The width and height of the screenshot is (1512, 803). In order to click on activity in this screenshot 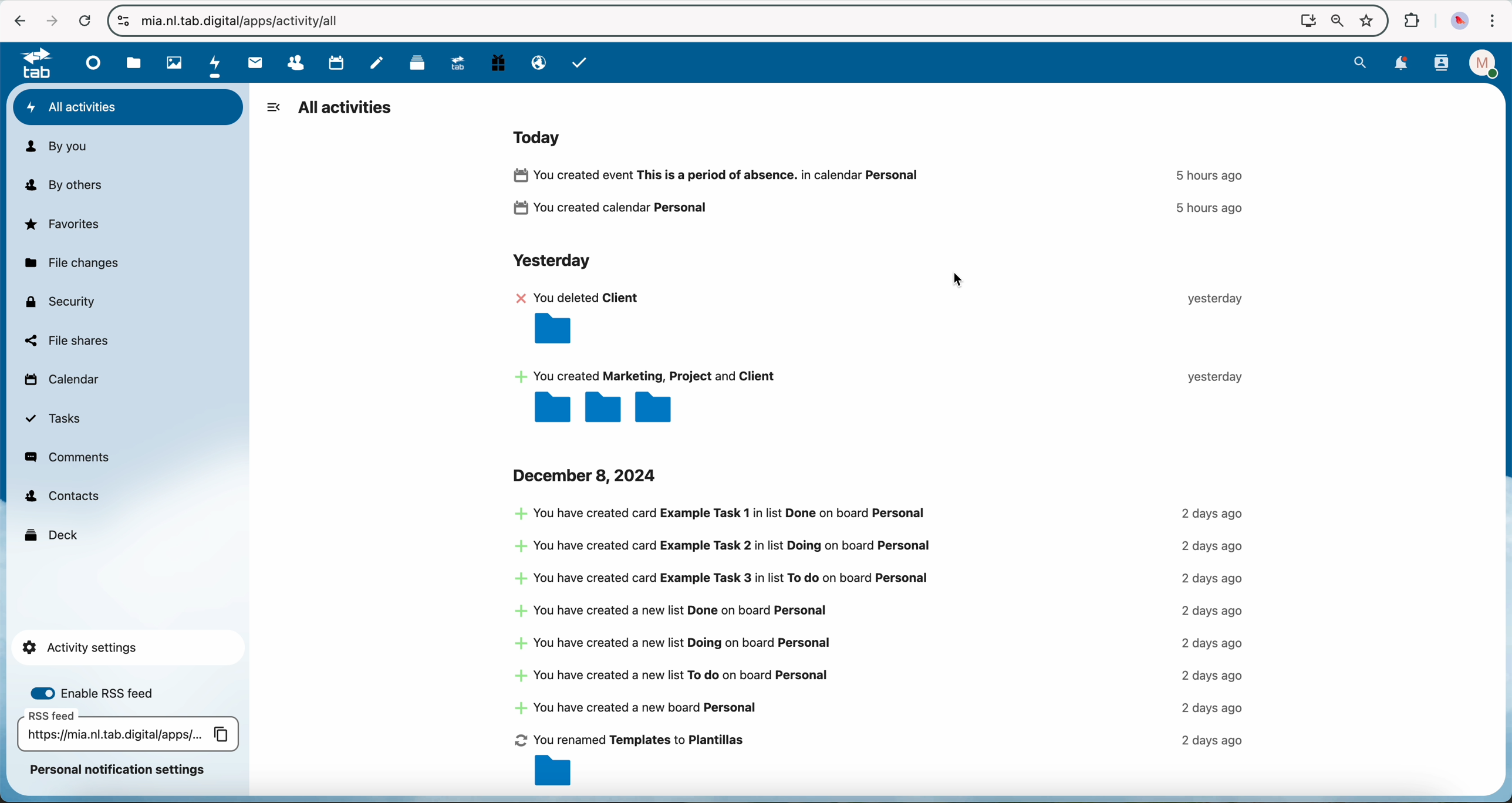, I will do `click(885, 356)`.